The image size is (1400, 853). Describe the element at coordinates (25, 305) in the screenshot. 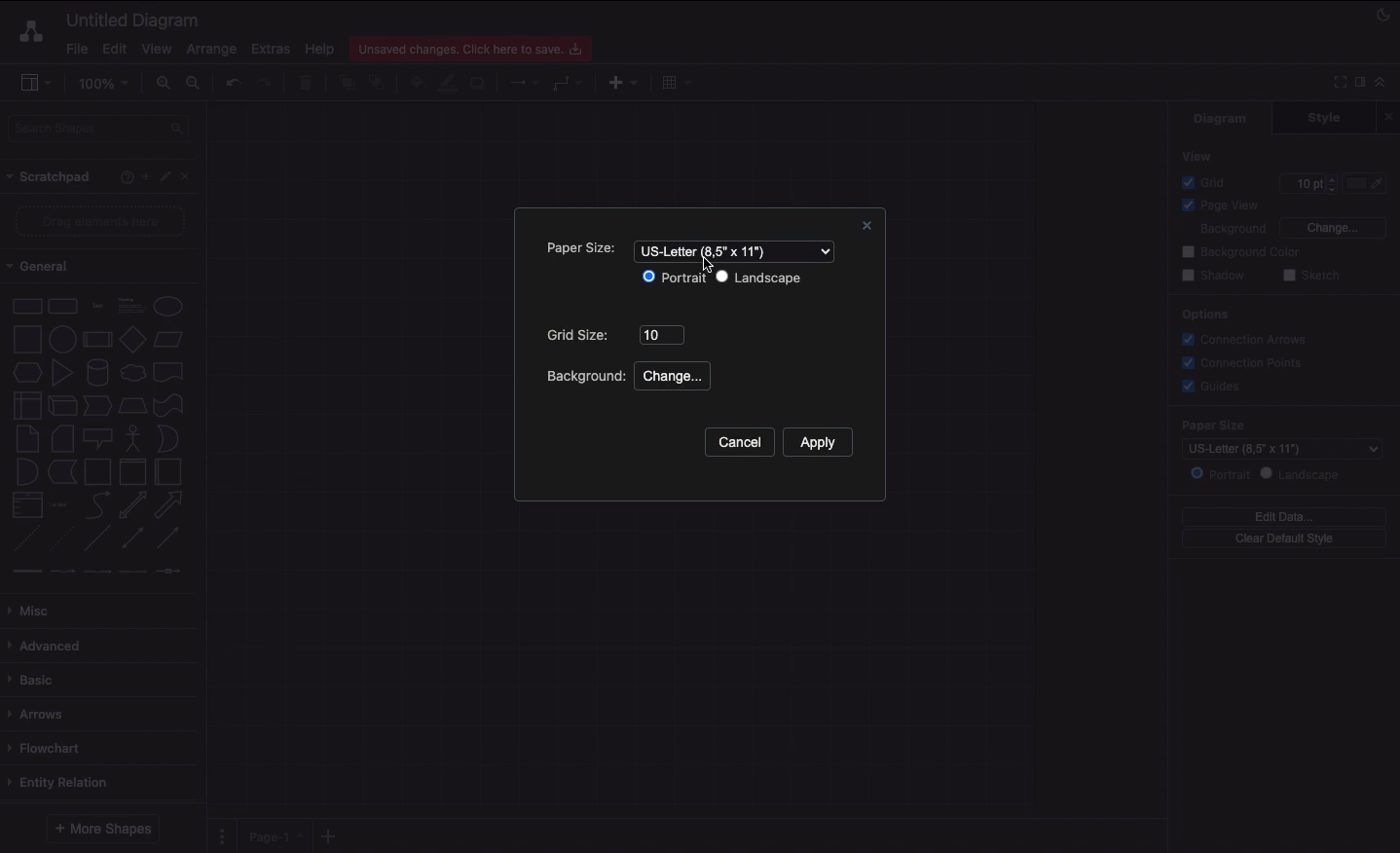

I see `Rectangle` at that location.